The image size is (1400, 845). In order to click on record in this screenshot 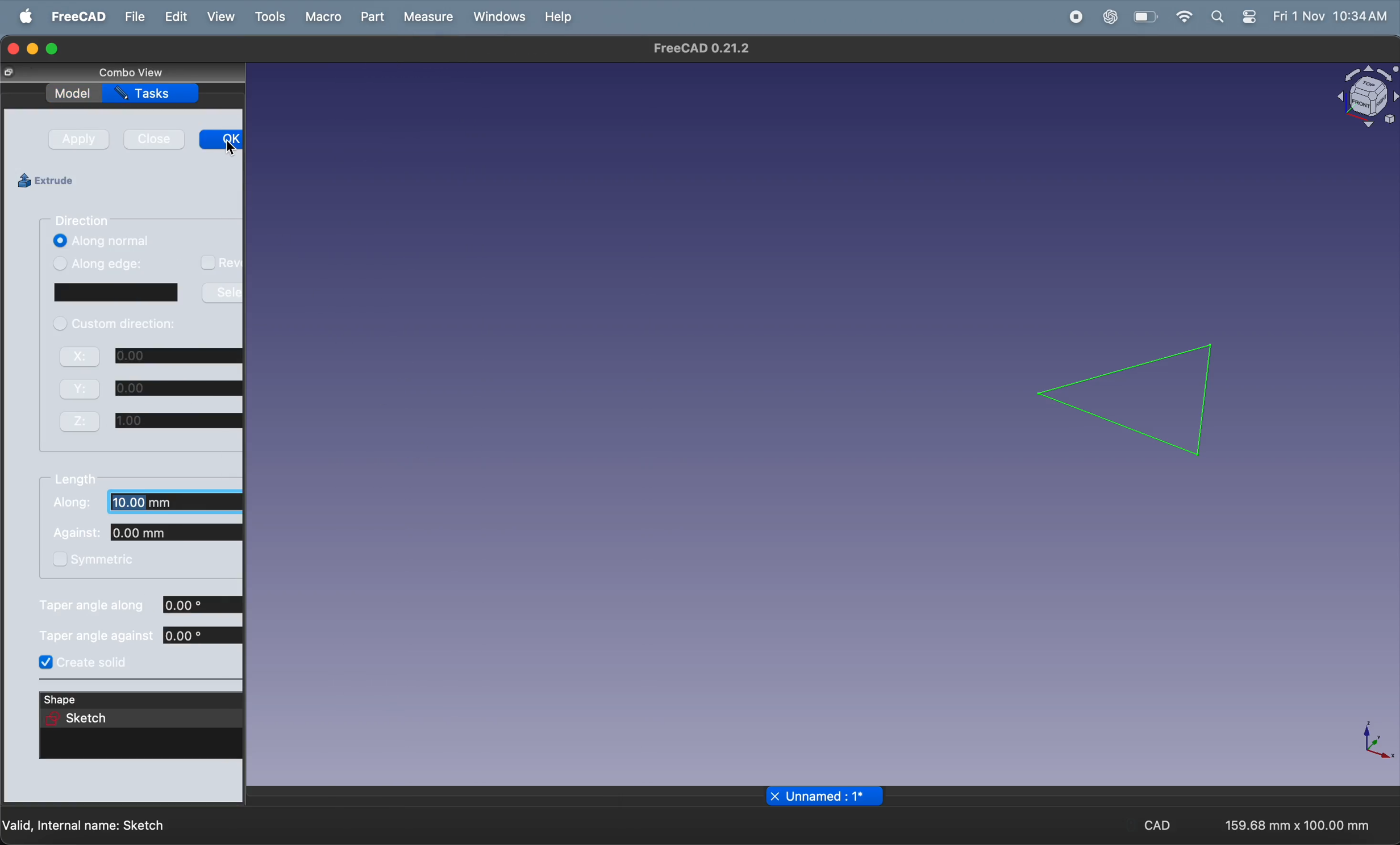, I will do `click(1077, 16)`.